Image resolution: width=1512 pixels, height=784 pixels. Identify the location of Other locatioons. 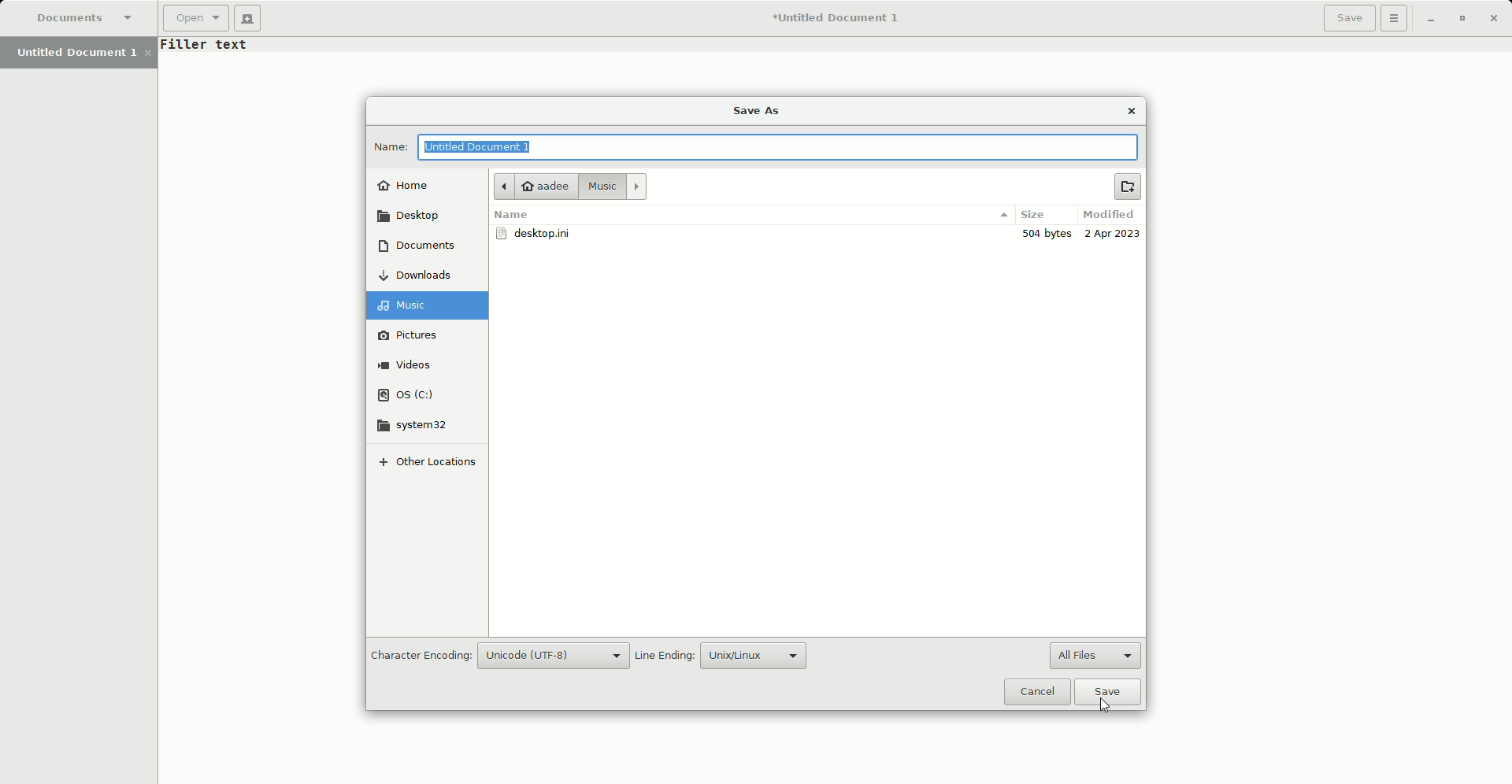
(428, 465).